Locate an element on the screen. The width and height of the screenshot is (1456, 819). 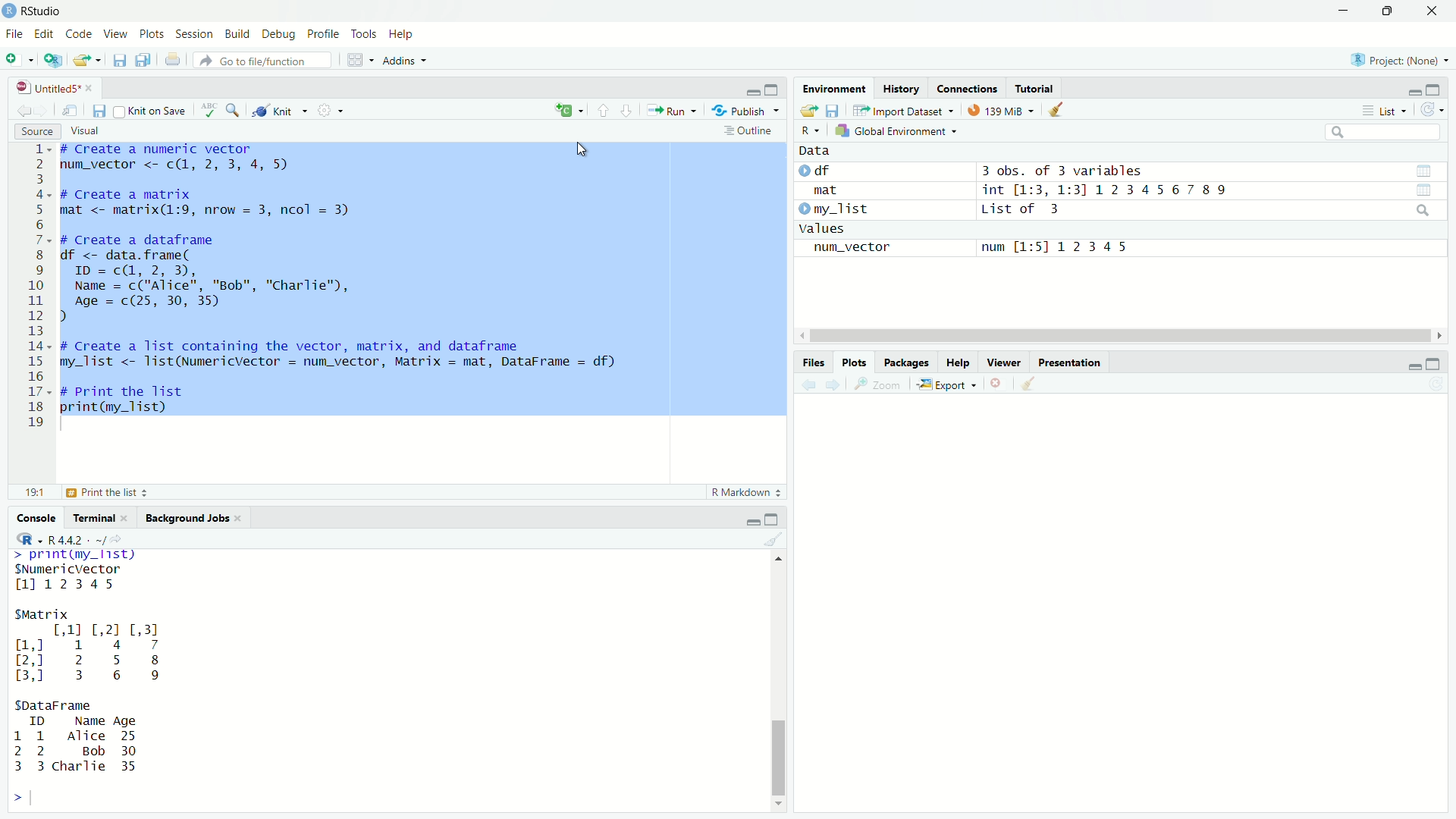
maximise is located at coordinates (1385, 11).